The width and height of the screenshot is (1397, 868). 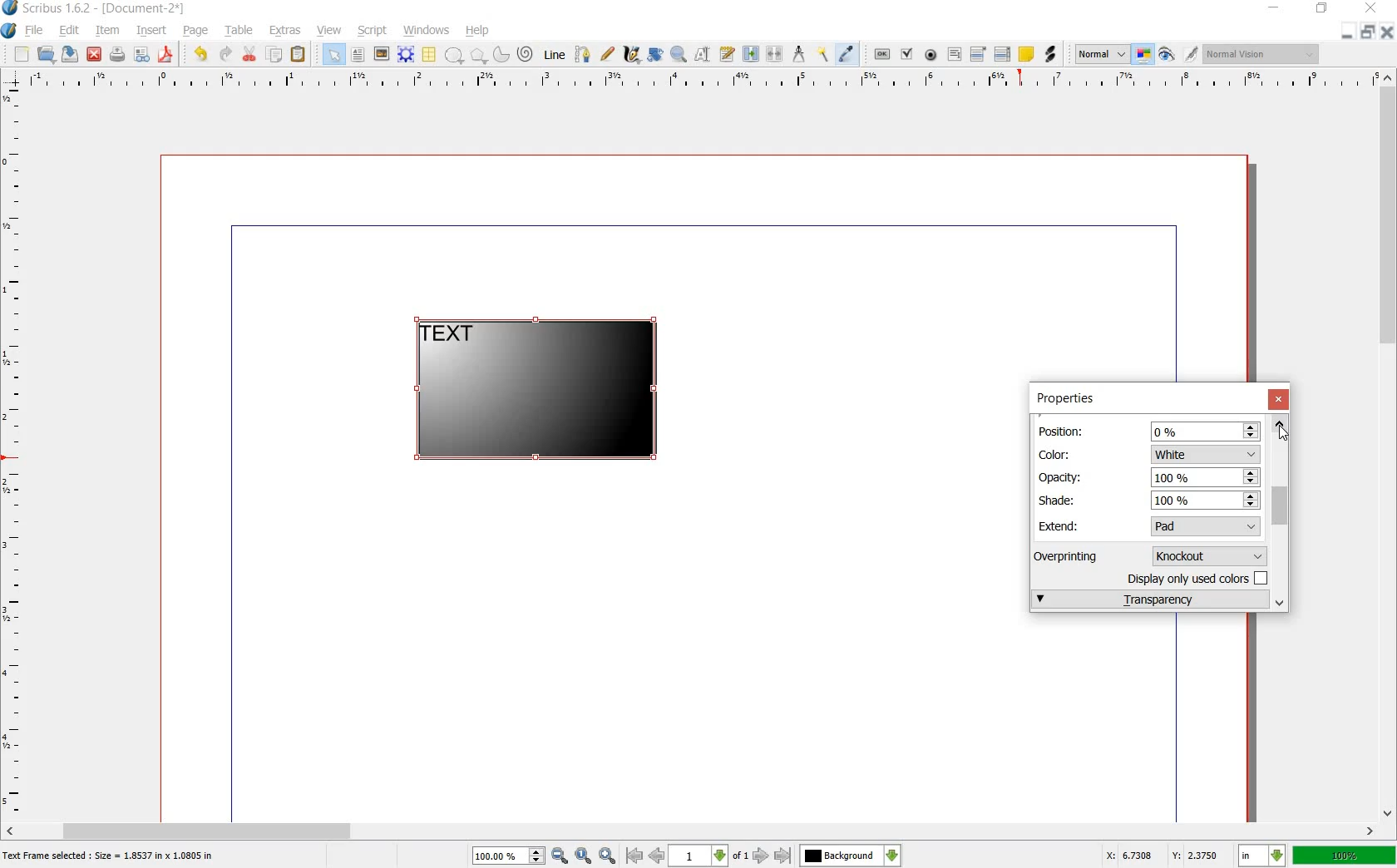 What do you see at coordinates (117, 55) in the screenshot?
I see `print` at bounding box center [117, 55].